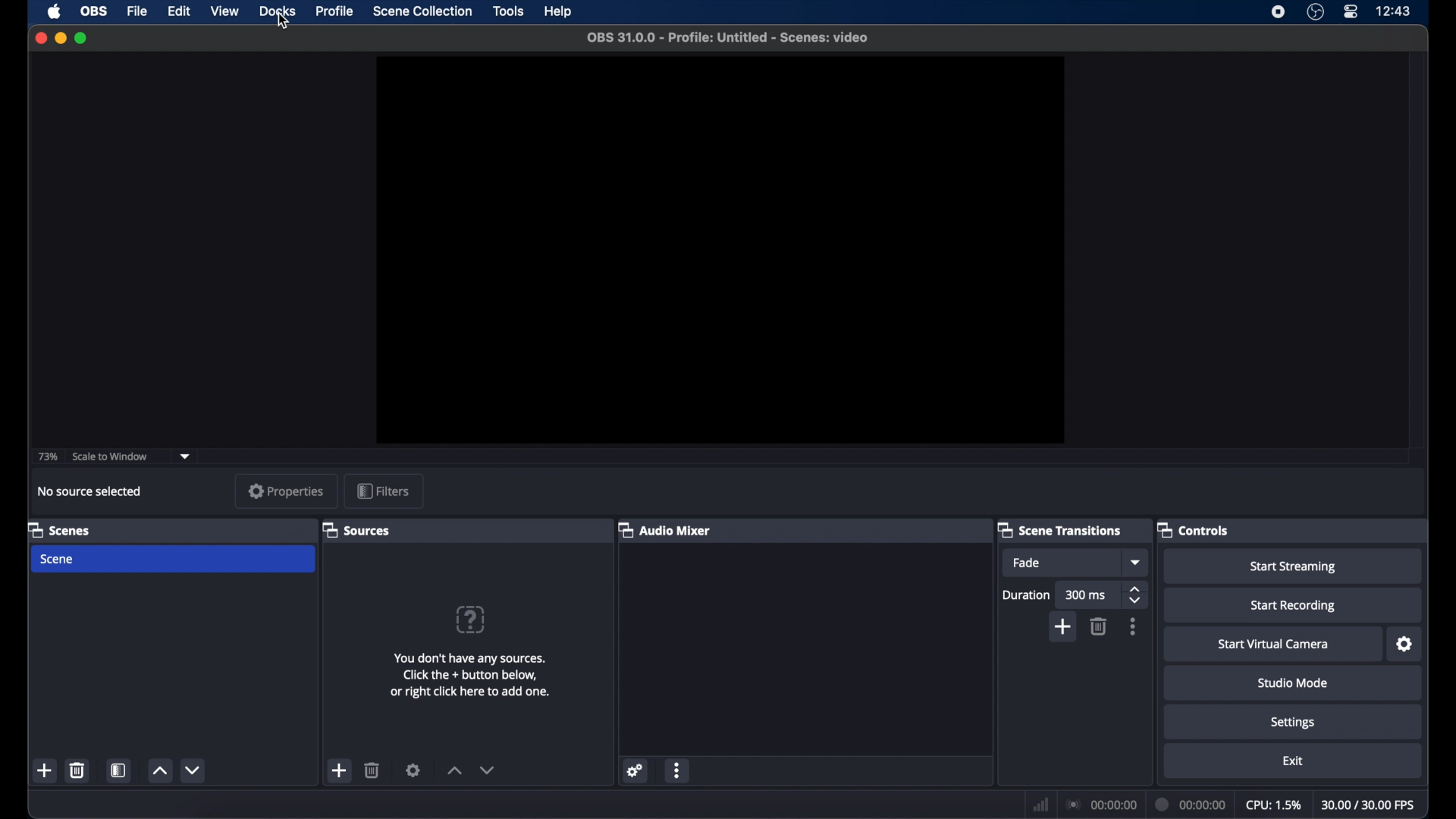  Describe the element at coordinates (45, 770) in the screenshot. I see `add` at that location.